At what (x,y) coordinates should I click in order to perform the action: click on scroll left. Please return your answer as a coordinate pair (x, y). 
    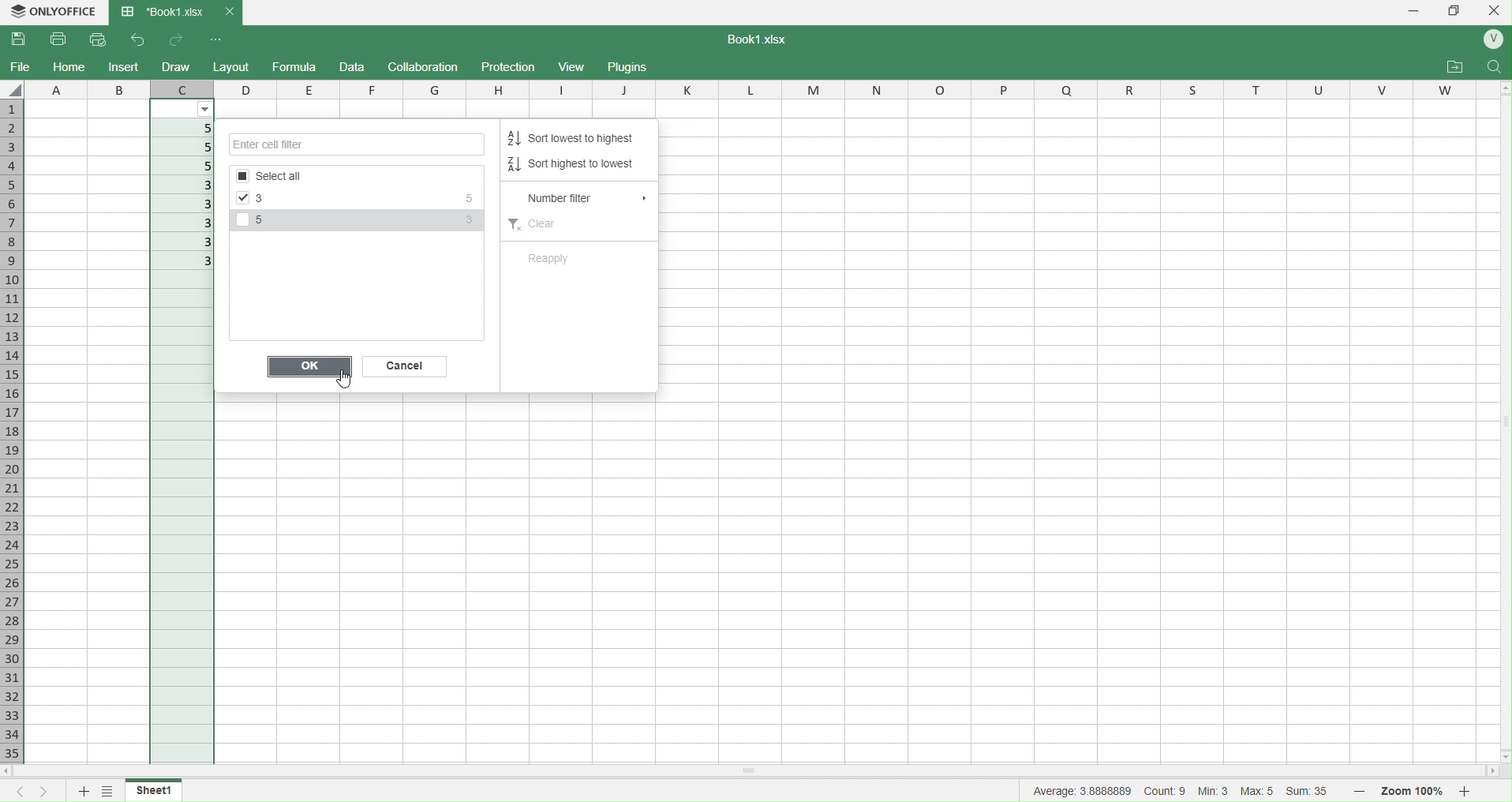
    Looking at the image, I should click on (17, 772).